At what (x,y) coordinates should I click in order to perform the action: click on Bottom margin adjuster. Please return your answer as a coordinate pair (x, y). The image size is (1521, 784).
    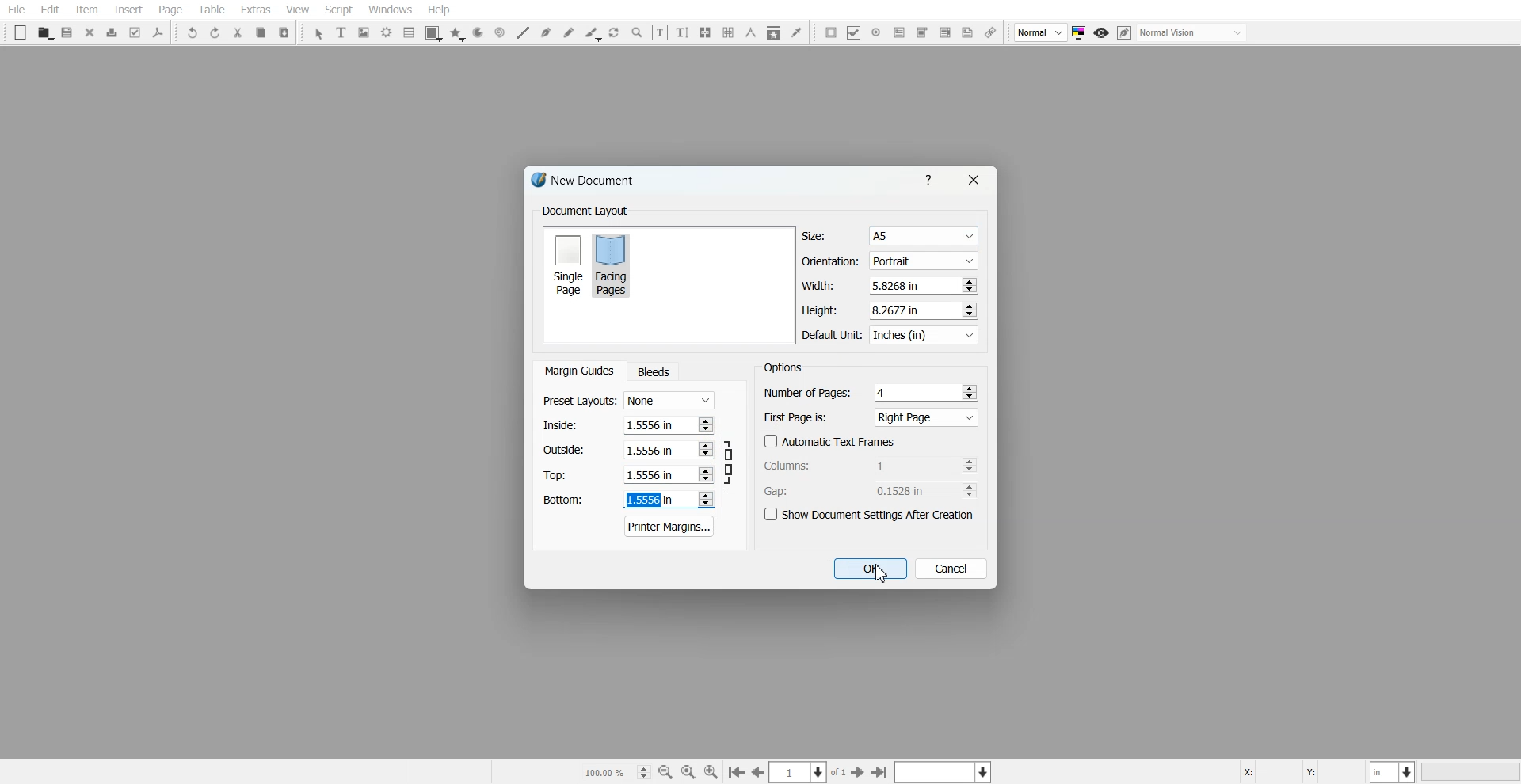
    Looking at the image, I should click on (627, 500).